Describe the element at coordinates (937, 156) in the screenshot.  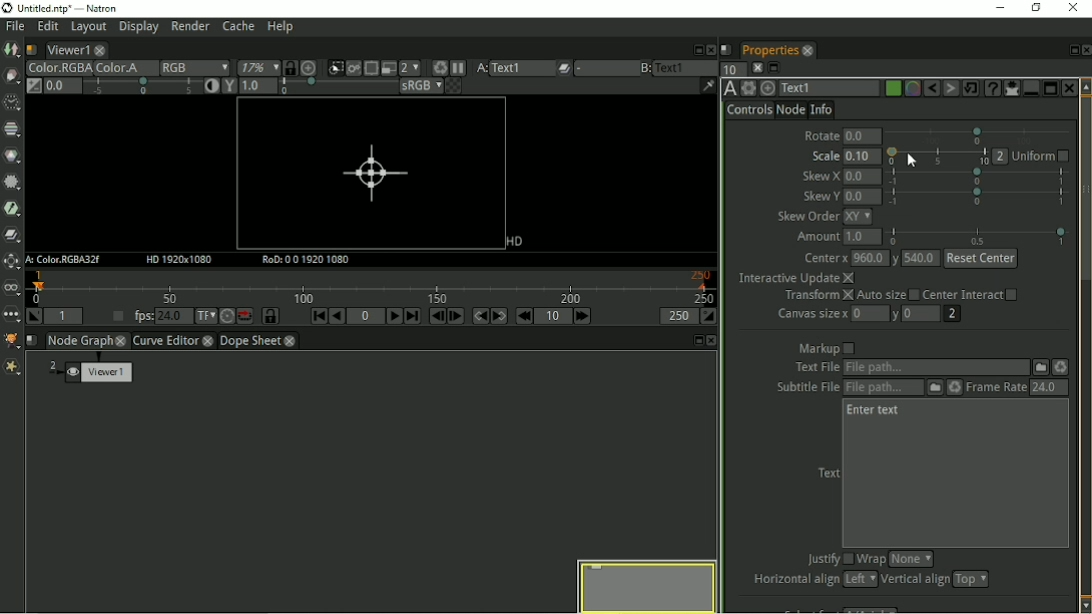
I see `slider` at that location.